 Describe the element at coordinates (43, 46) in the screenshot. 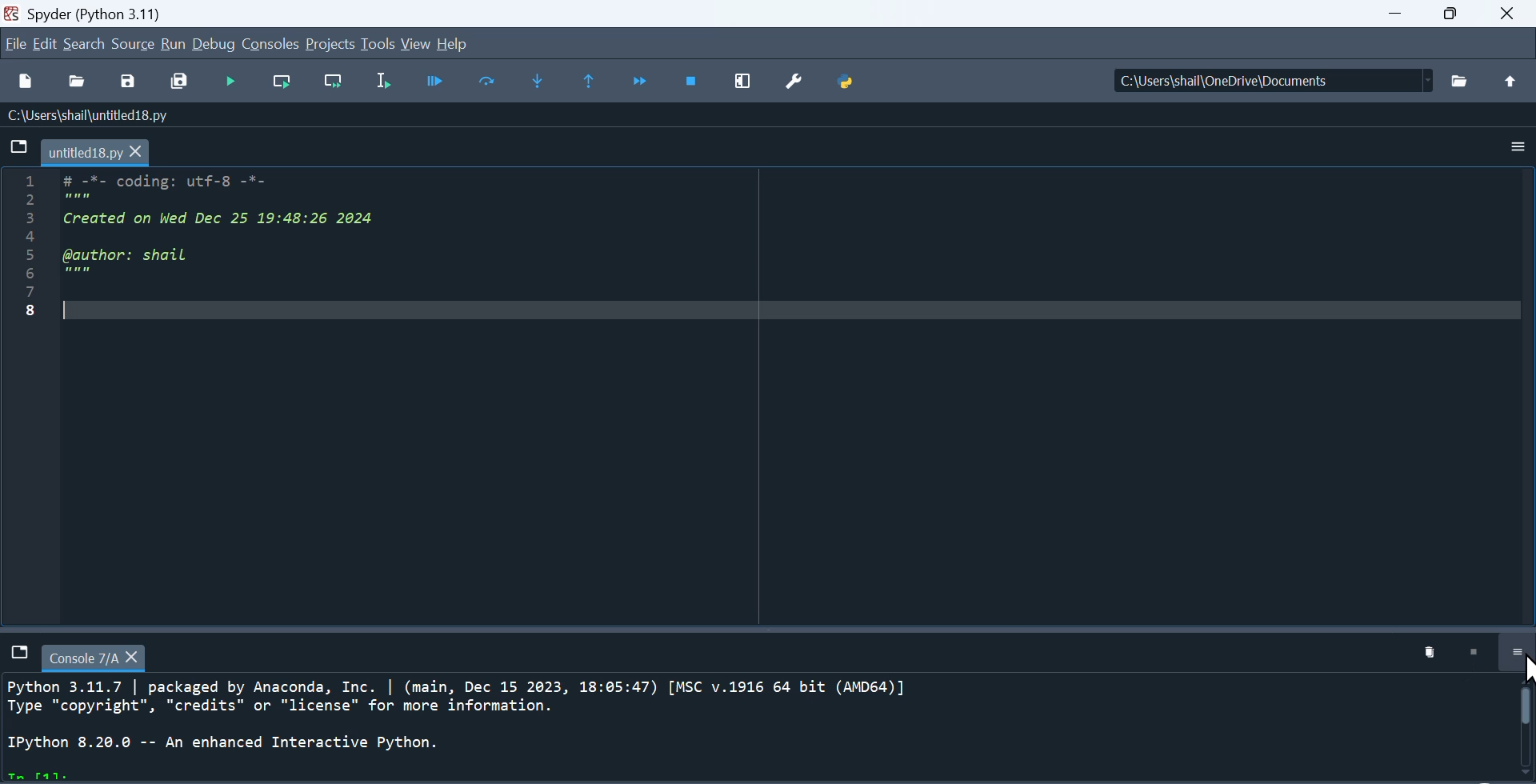

I see `edit` at that location.